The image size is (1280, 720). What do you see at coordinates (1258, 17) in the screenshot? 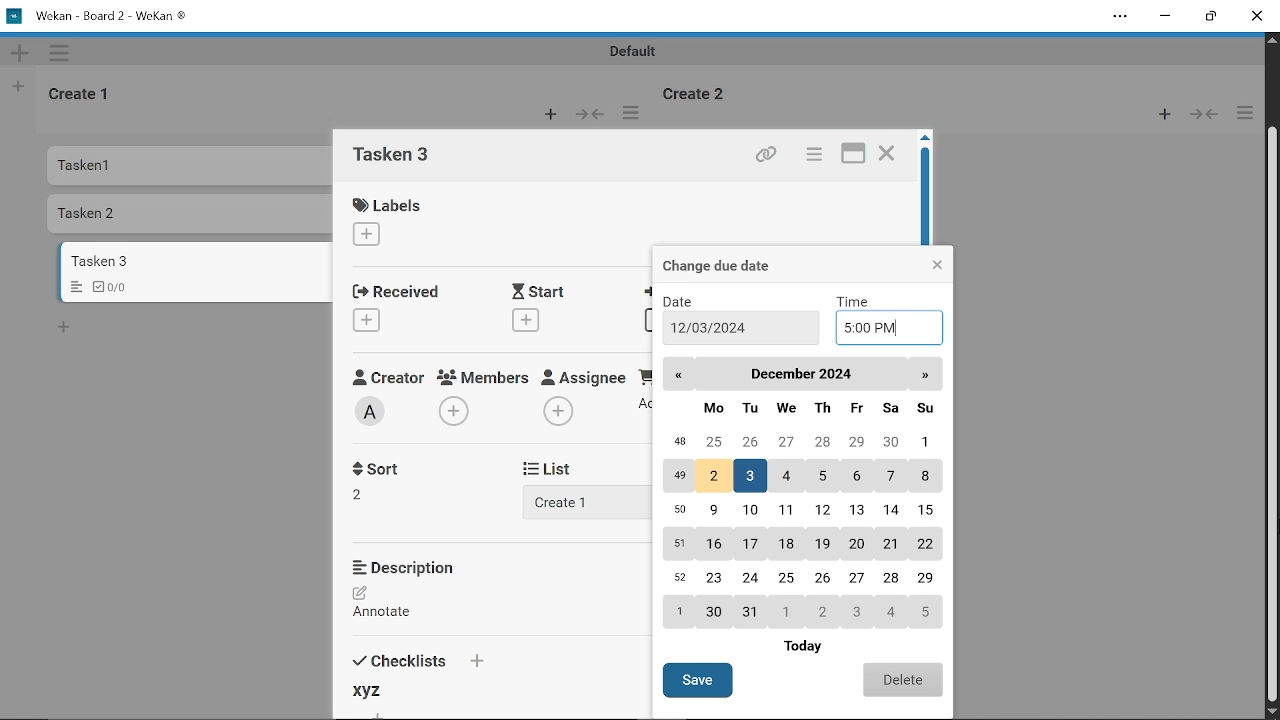
I see `Close` at bounding box center [1258, 17].